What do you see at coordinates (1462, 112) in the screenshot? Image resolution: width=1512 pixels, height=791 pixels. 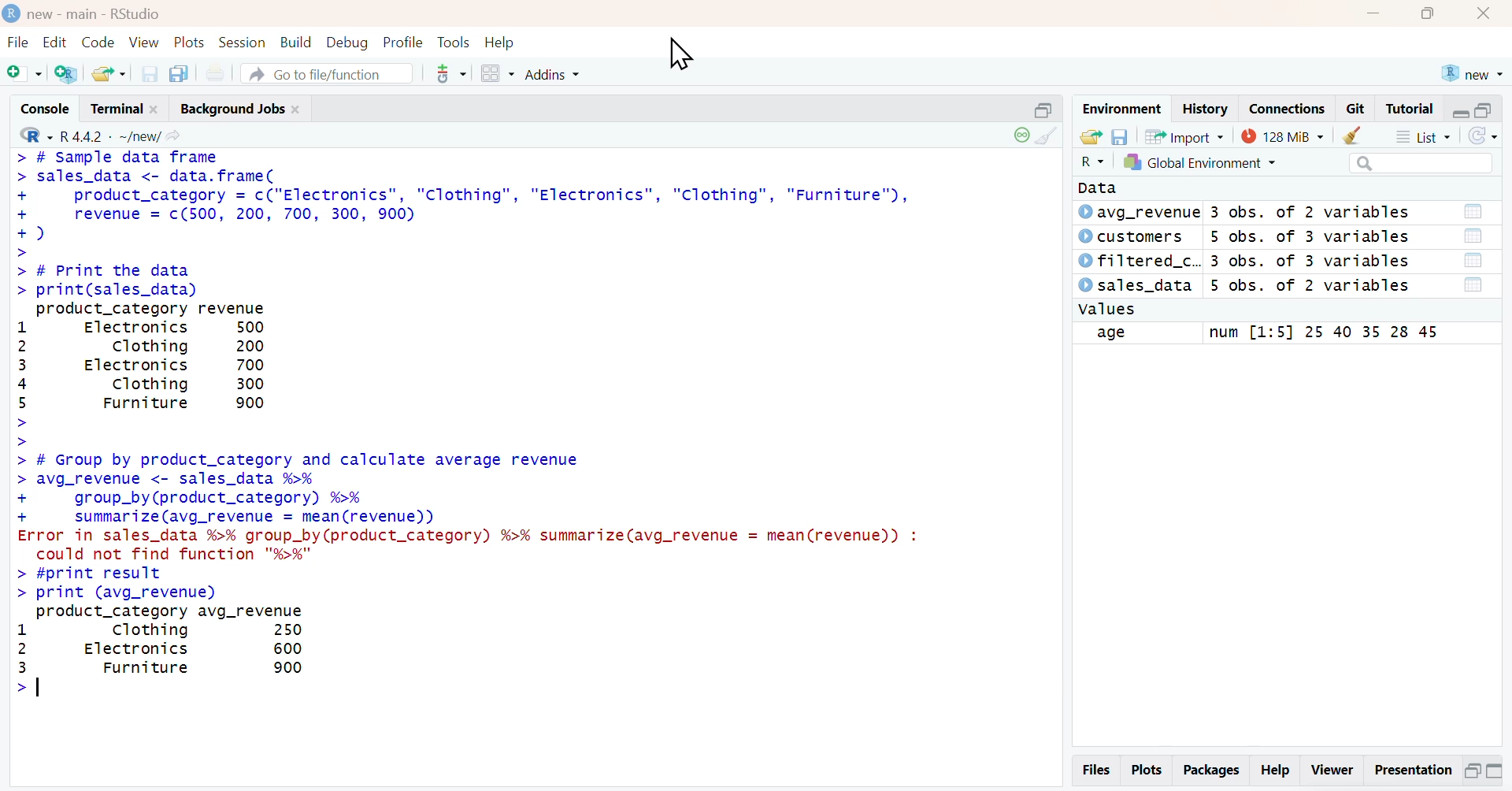 I see `minimize pane` at bounding box center [1462, 112].